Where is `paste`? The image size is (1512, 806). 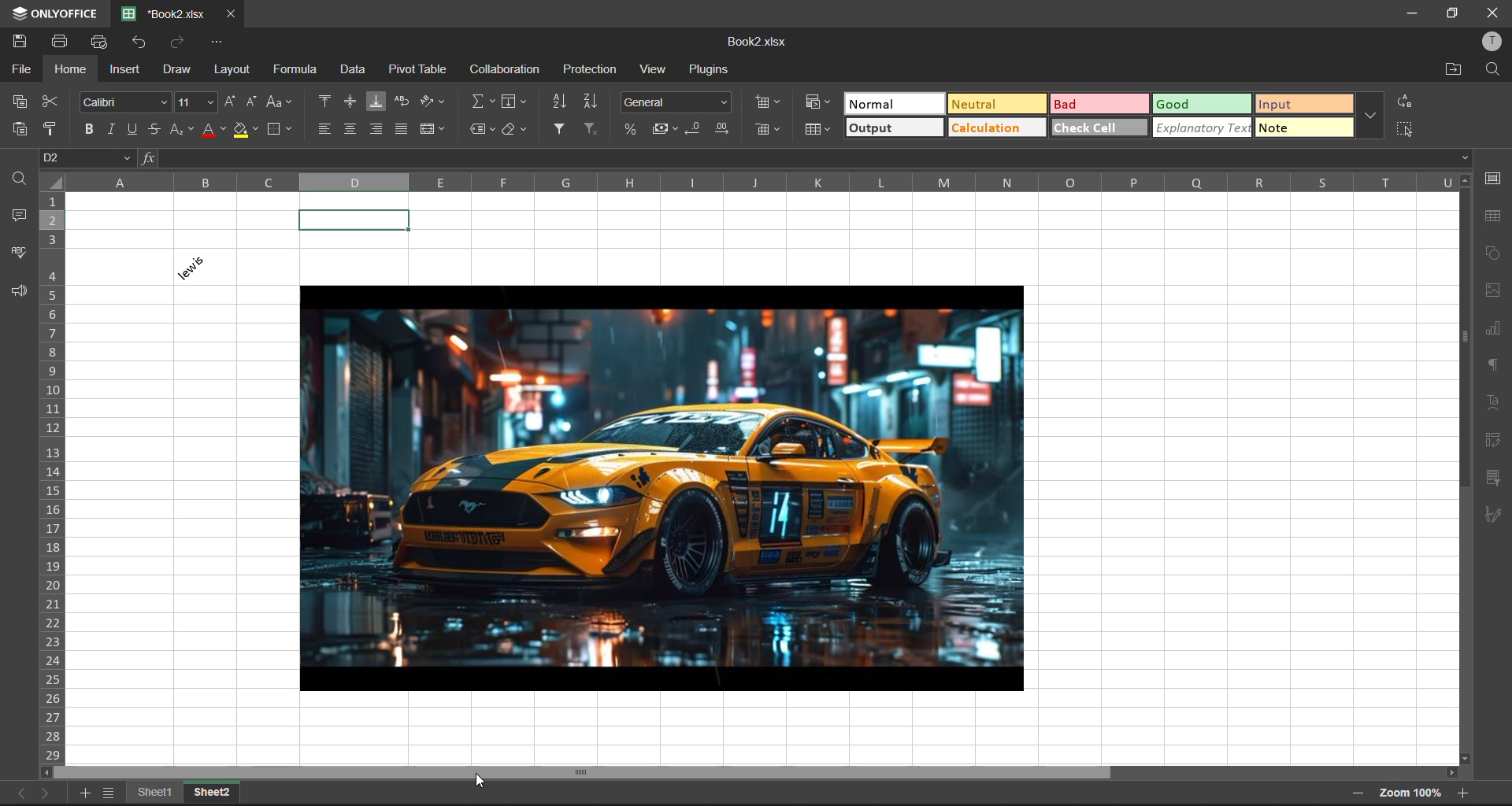 paste is located at coordinates (21, 131).